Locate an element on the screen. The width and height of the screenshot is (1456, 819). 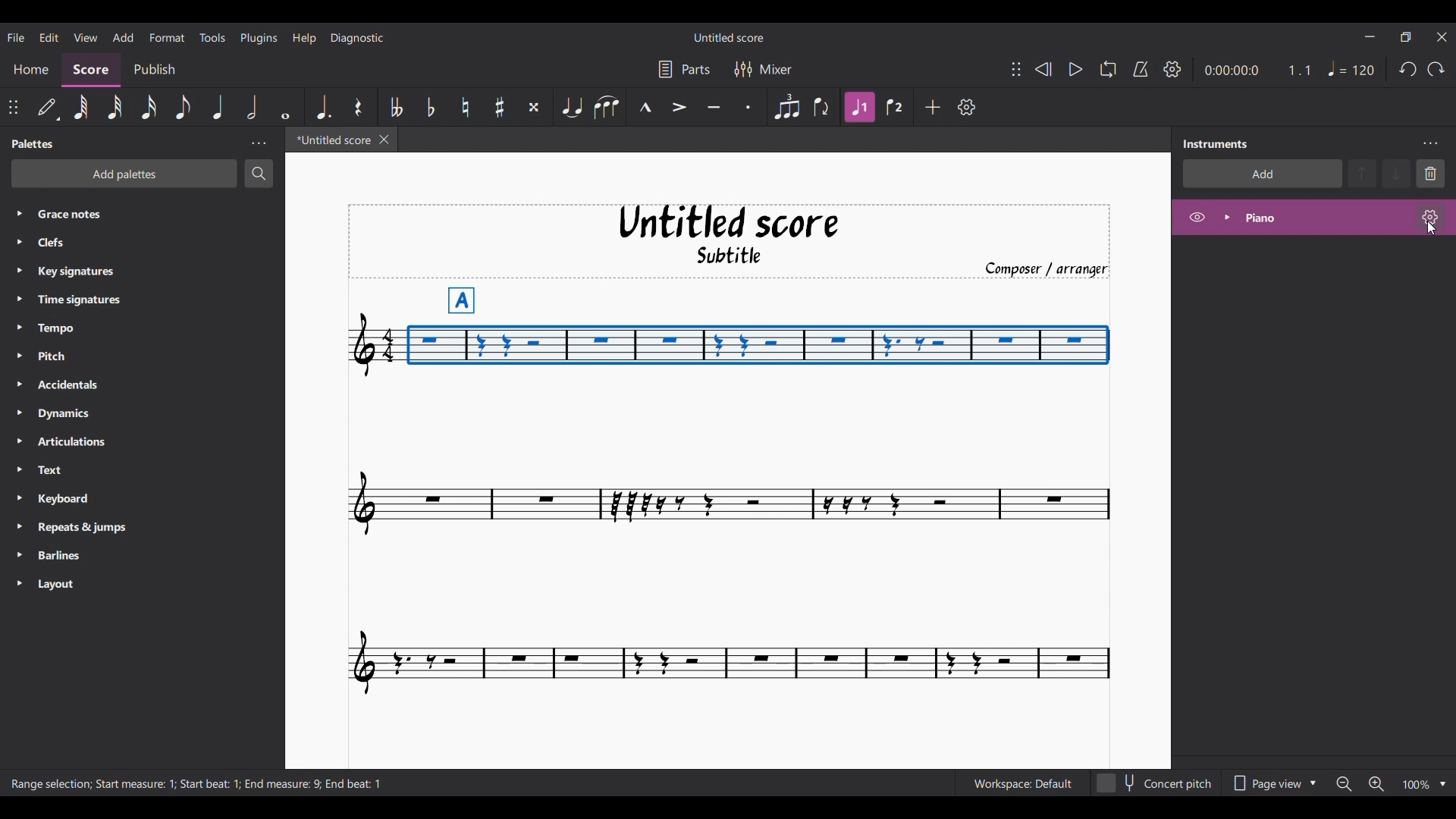
Voice 2 is located at coordinates (894, 108).